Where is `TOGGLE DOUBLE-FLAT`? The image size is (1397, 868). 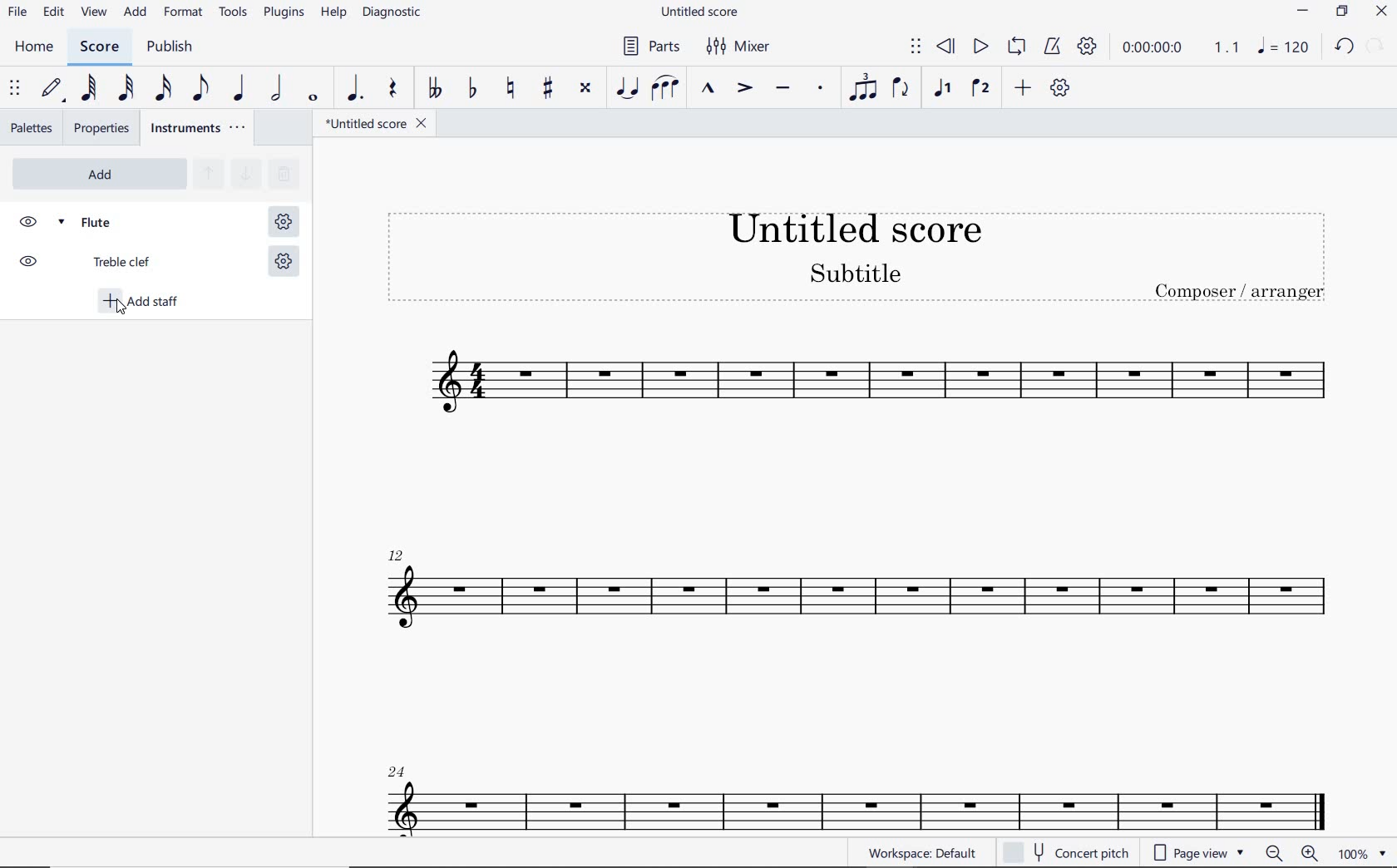
TOGGLE DOUBLE-FLAT is located at coordinates (433, 89).